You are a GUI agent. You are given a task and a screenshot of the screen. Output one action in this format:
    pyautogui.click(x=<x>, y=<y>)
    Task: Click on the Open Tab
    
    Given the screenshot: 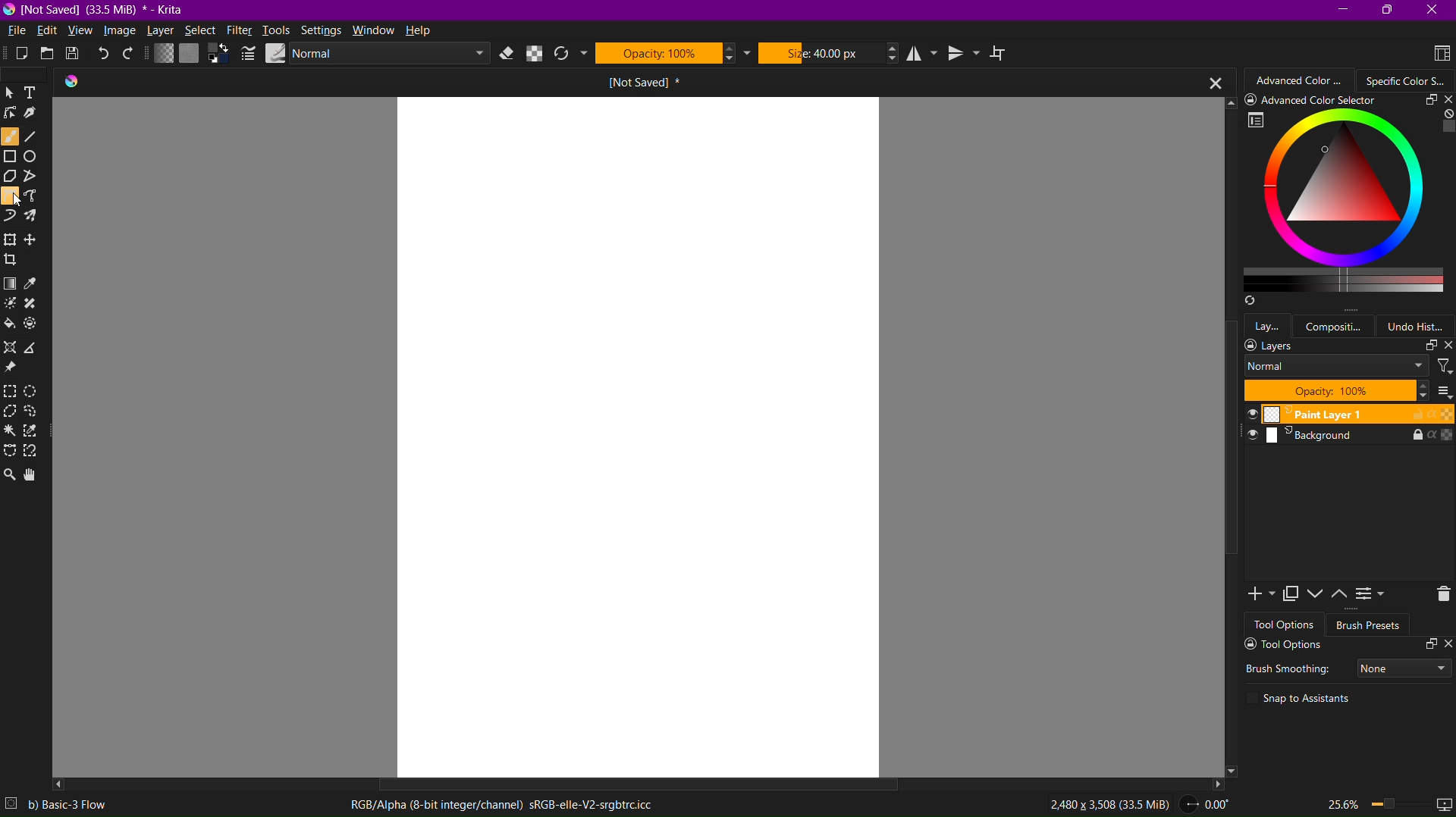 What is the action you would take?
    pyautogui.click(x=595, y=82)
    